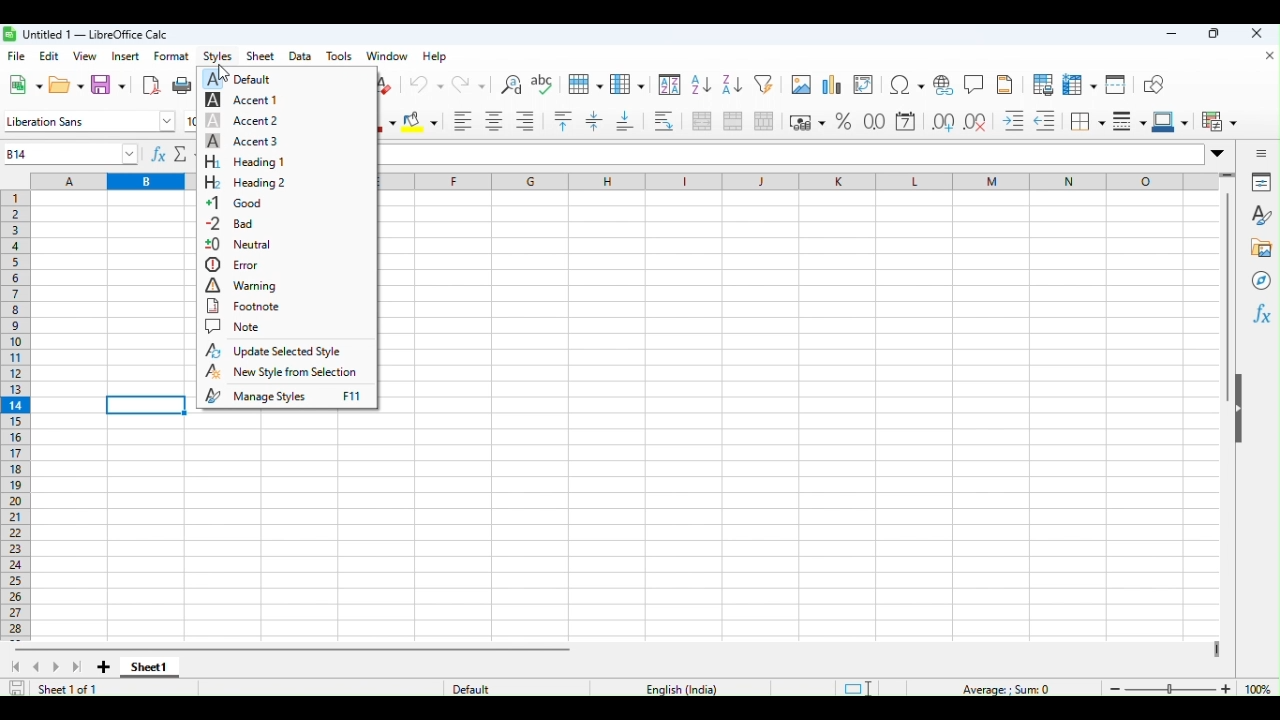  Describe the element at coordinates (61, 86) in the screenshot. I see `Open` at that location.